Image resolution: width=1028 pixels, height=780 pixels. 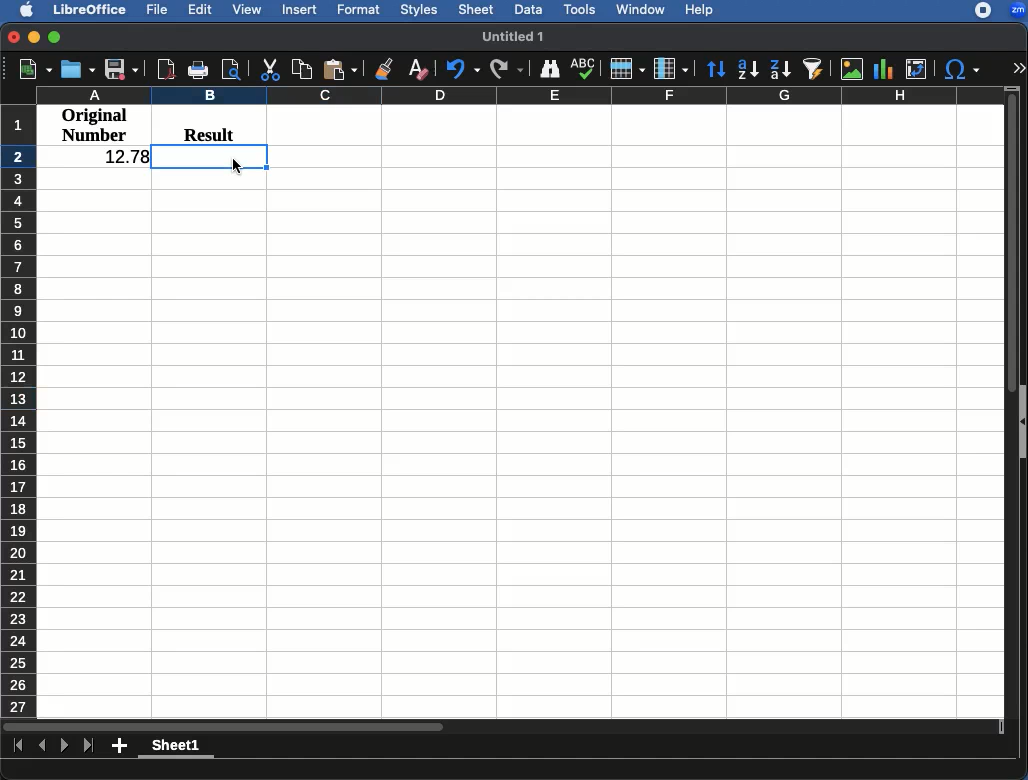 I want to click on File, so click(x=160, y=9).